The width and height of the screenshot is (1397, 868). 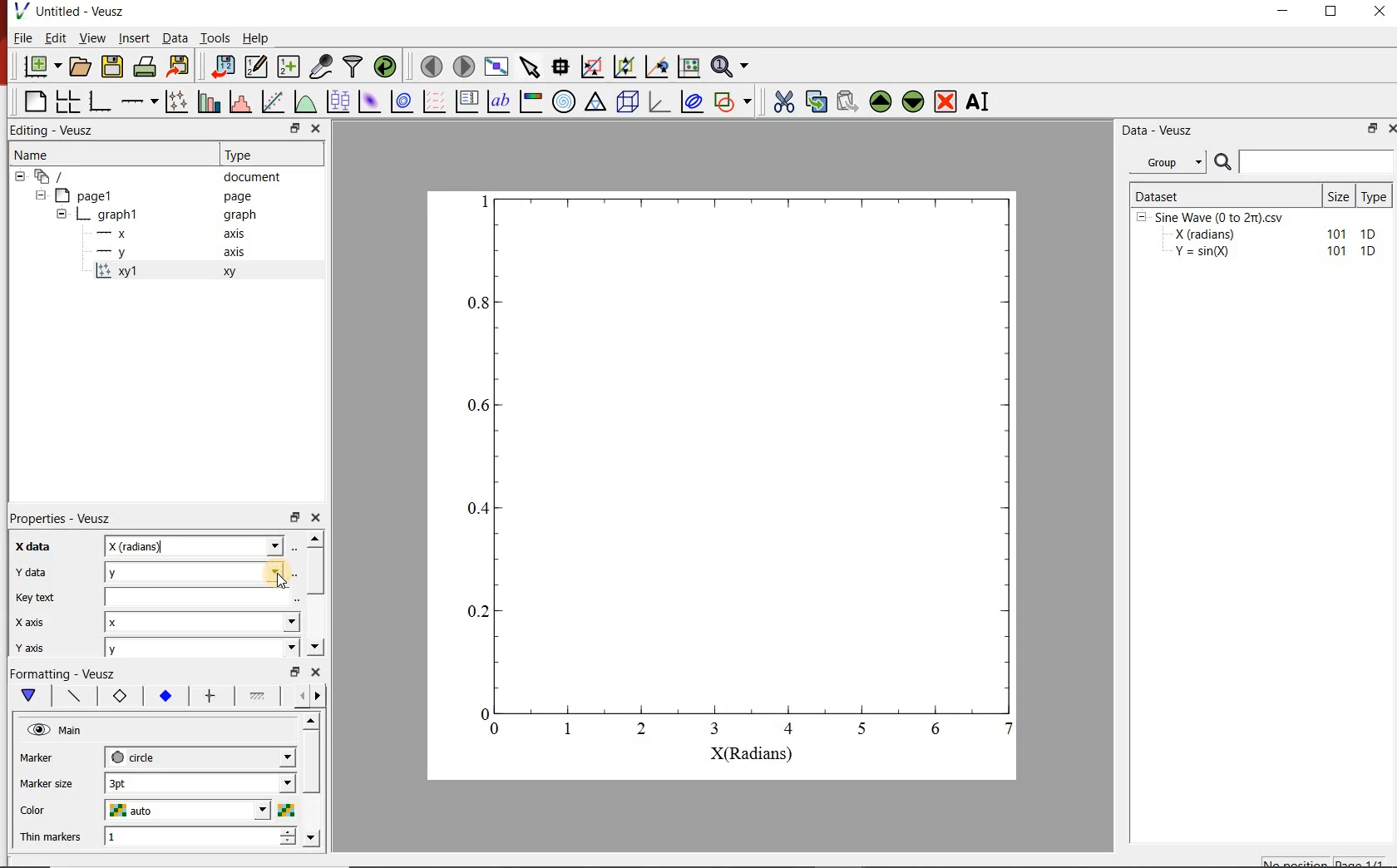 I want to click on Group, so click(x=1172, y=162).